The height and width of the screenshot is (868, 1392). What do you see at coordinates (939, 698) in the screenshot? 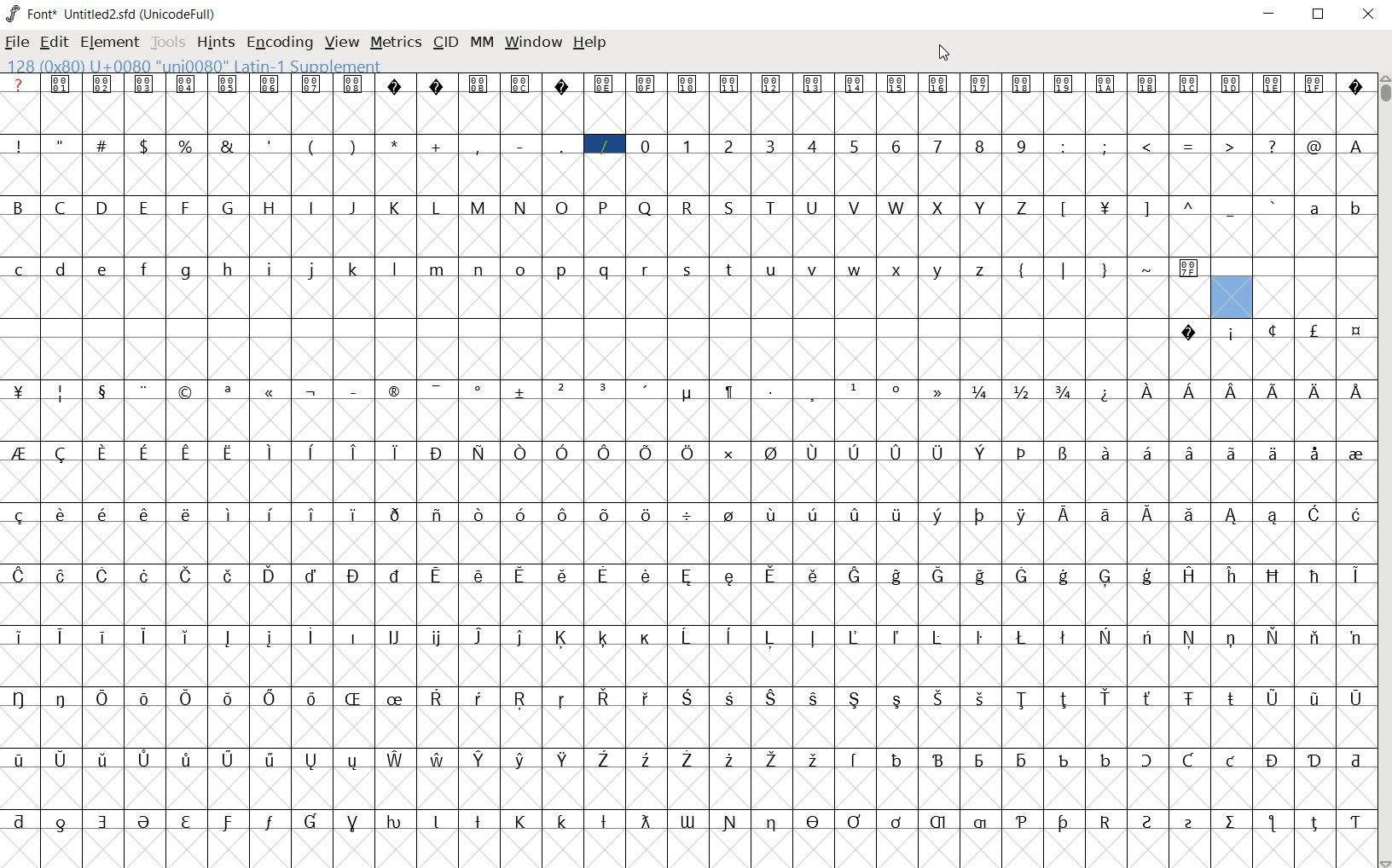
I see `glyph` at bounding box center [939, 698].